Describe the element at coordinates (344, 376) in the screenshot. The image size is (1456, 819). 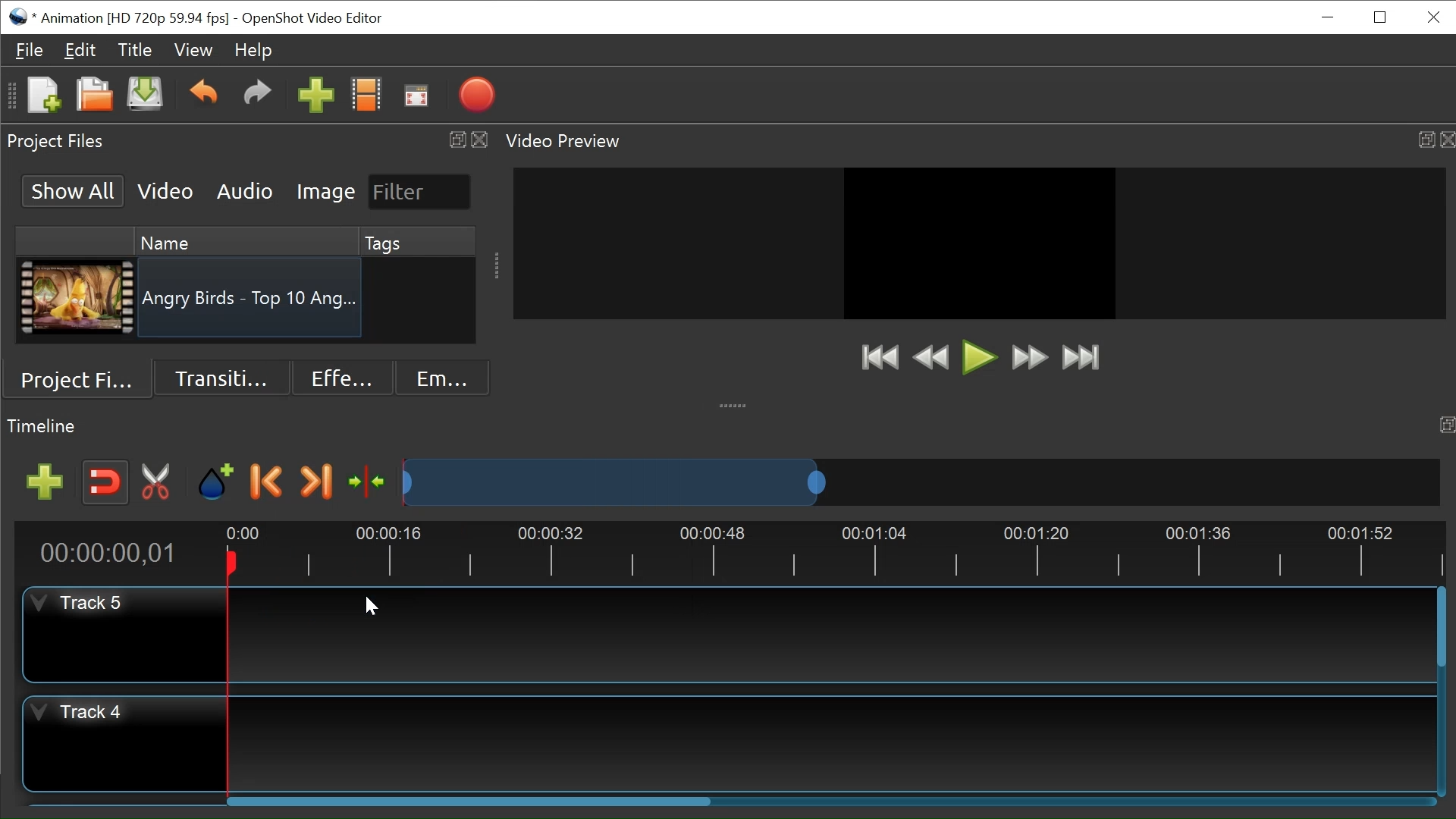
I see `Effects` at that location.